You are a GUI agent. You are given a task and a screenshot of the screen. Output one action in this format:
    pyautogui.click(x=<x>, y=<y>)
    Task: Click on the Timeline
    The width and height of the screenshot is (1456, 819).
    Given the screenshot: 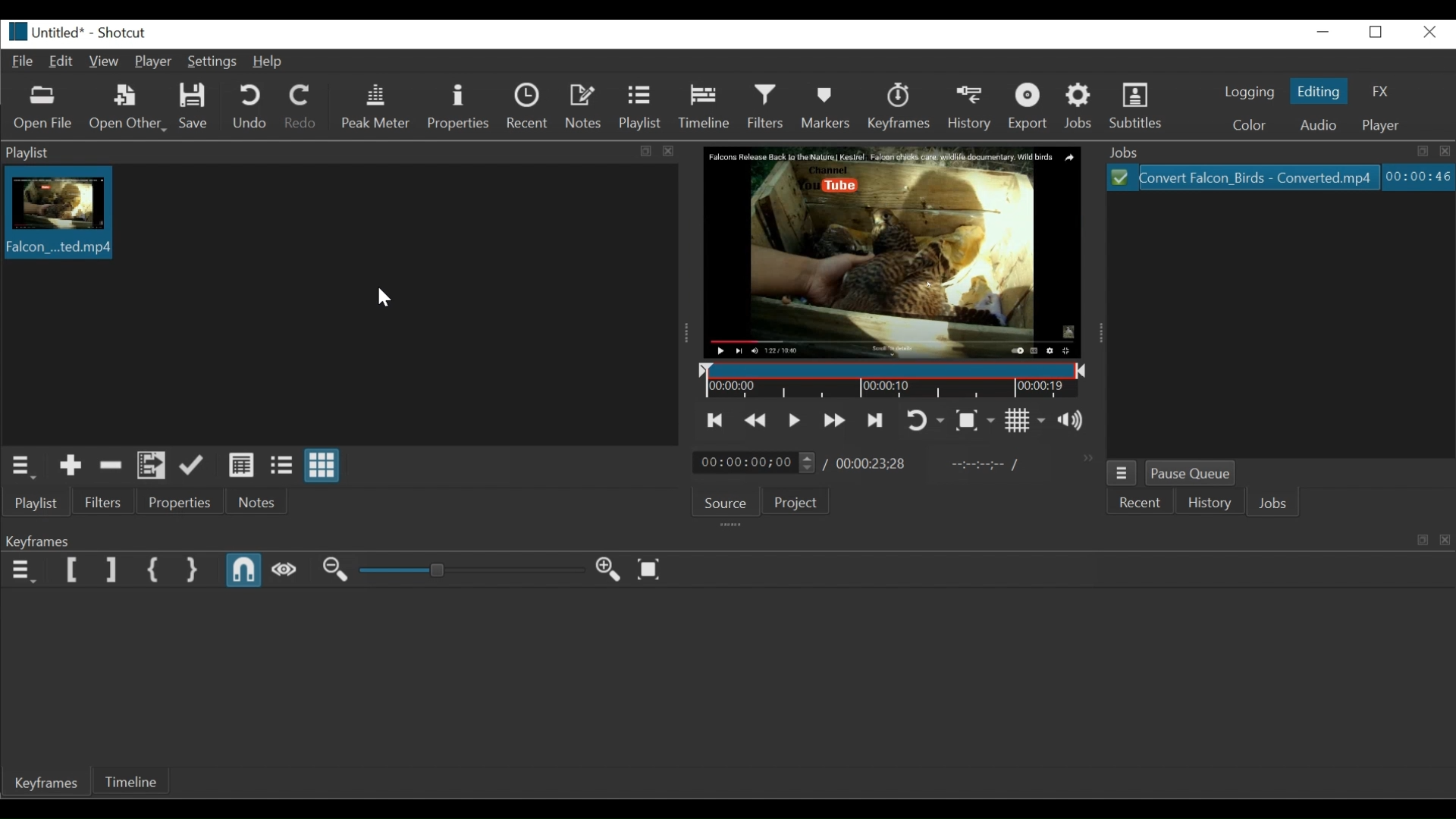 What is the action you would take?
    pyautogui.click(x=131, y=781)
    